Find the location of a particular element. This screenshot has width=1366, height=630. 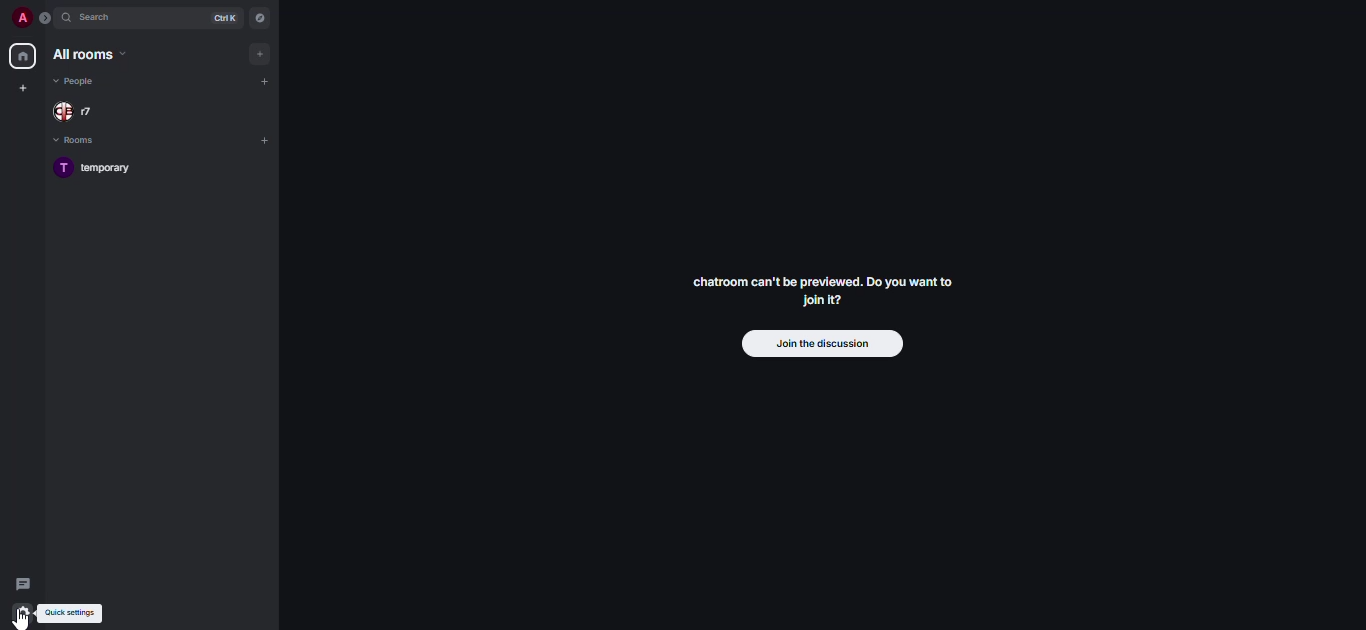

quick settings is located at coordinates (21, 613).